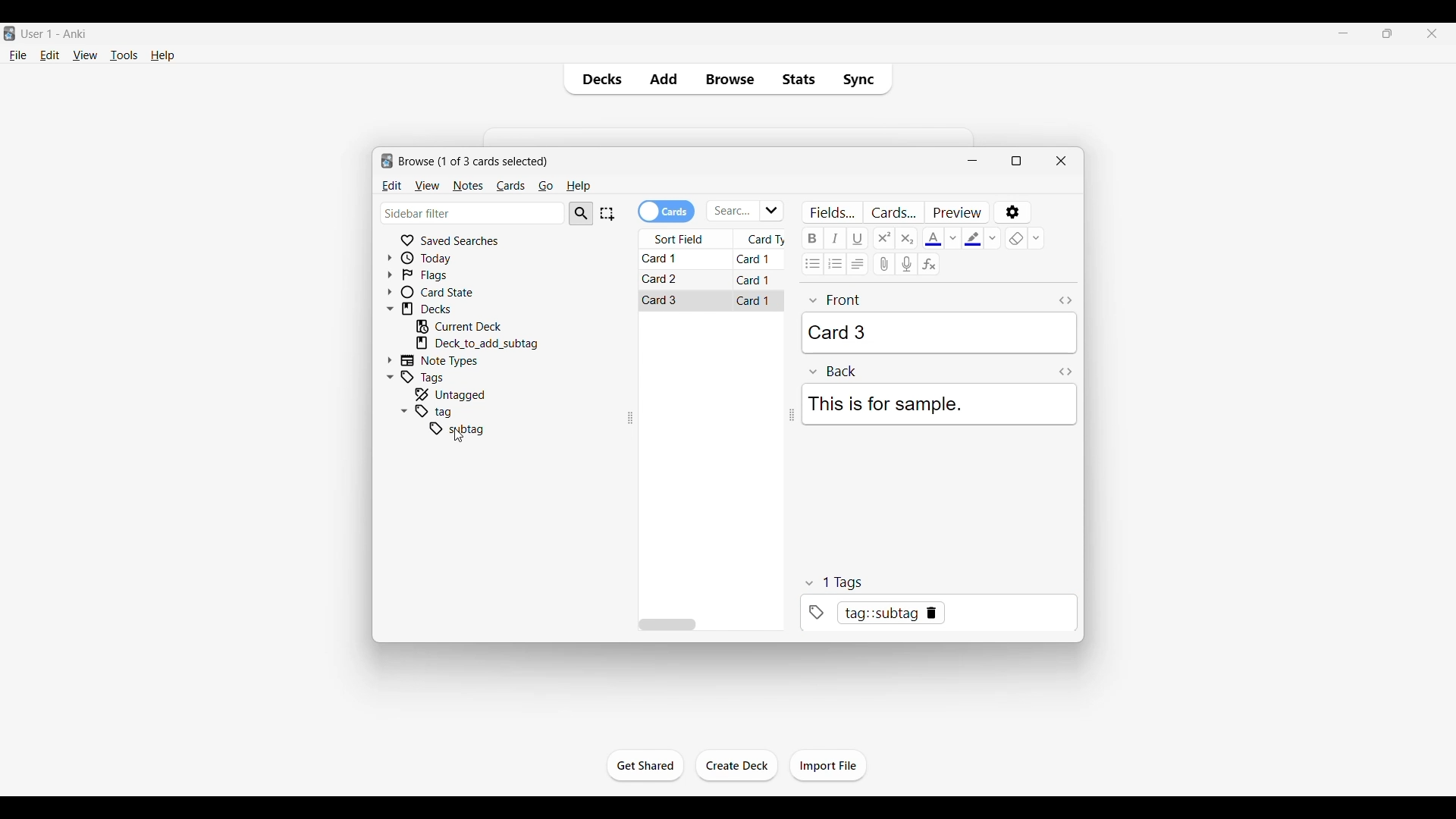  Describe the element at coordinates (450, 309) in the screenshot. I see `Click to go to decks` at that location.